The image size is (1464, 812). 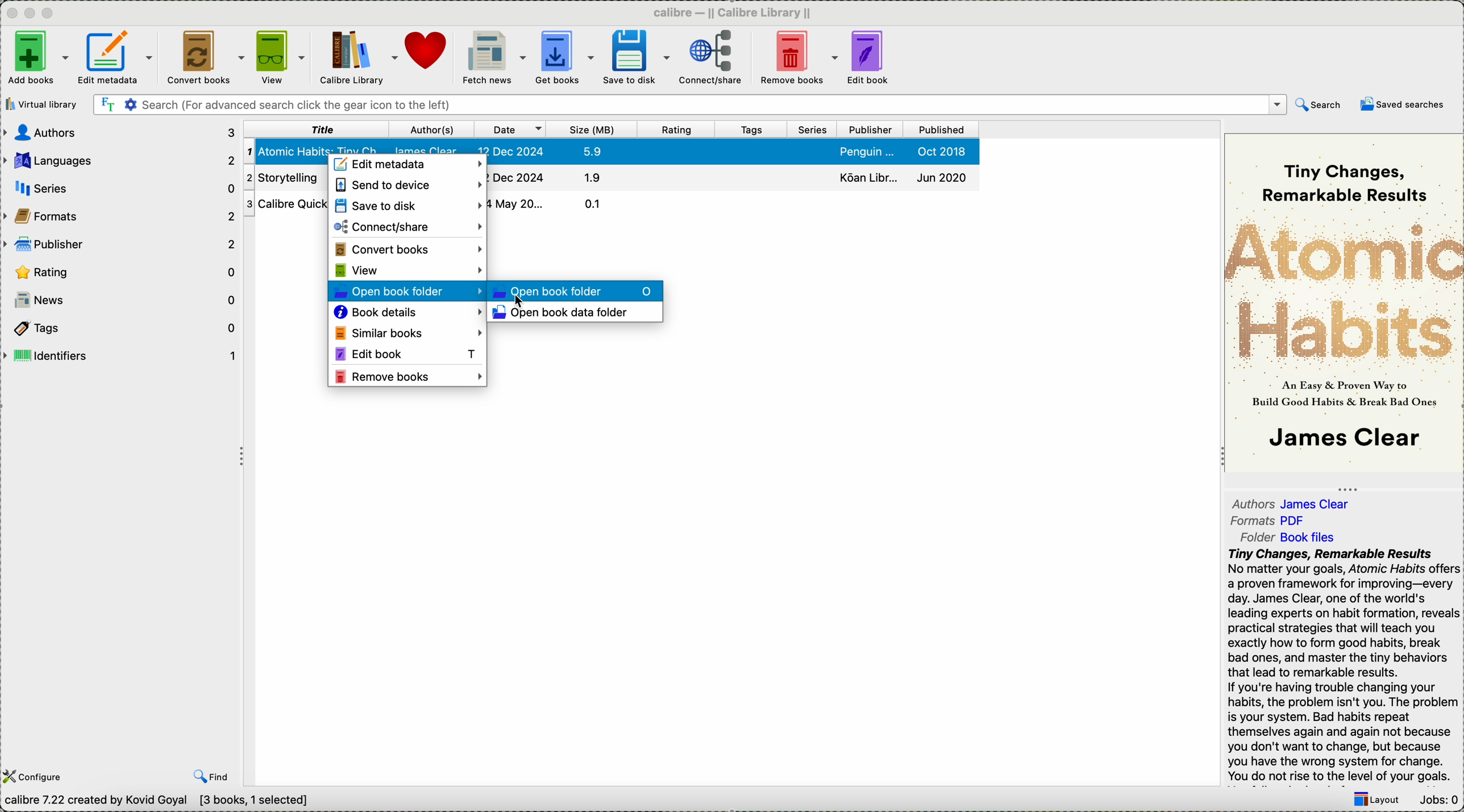 What do you see at coordinates (32, 14) in the screenshot?
I see `disable buttons program` at bounding box center [32, 14].